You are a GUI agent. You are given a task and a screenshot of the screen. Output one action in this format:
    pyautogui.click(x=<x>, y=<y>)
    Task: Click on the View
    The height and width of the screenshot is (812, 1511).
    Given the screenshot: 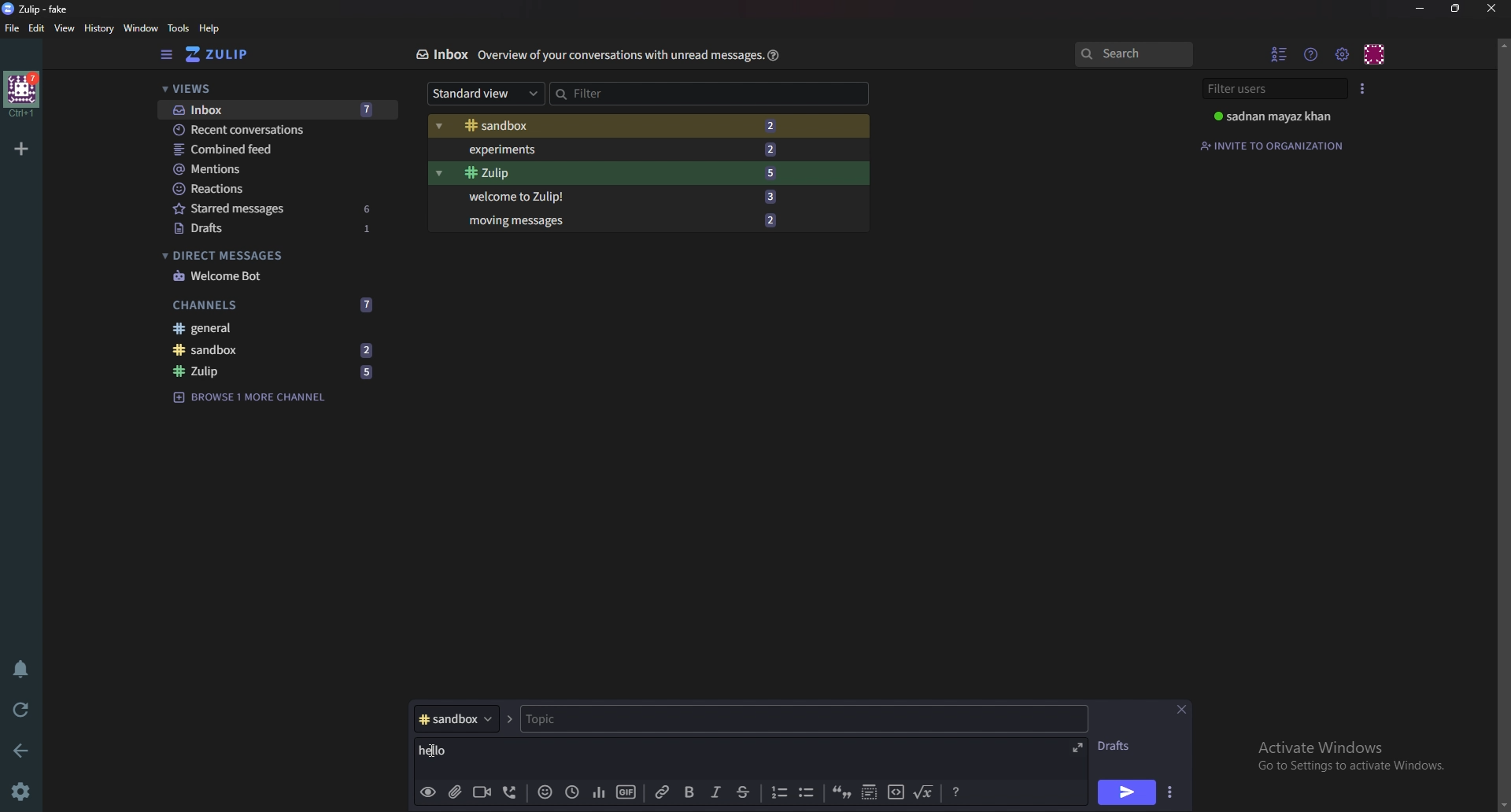 What is the action you would take?
    pyautogui.click(x=65, y=29)
    